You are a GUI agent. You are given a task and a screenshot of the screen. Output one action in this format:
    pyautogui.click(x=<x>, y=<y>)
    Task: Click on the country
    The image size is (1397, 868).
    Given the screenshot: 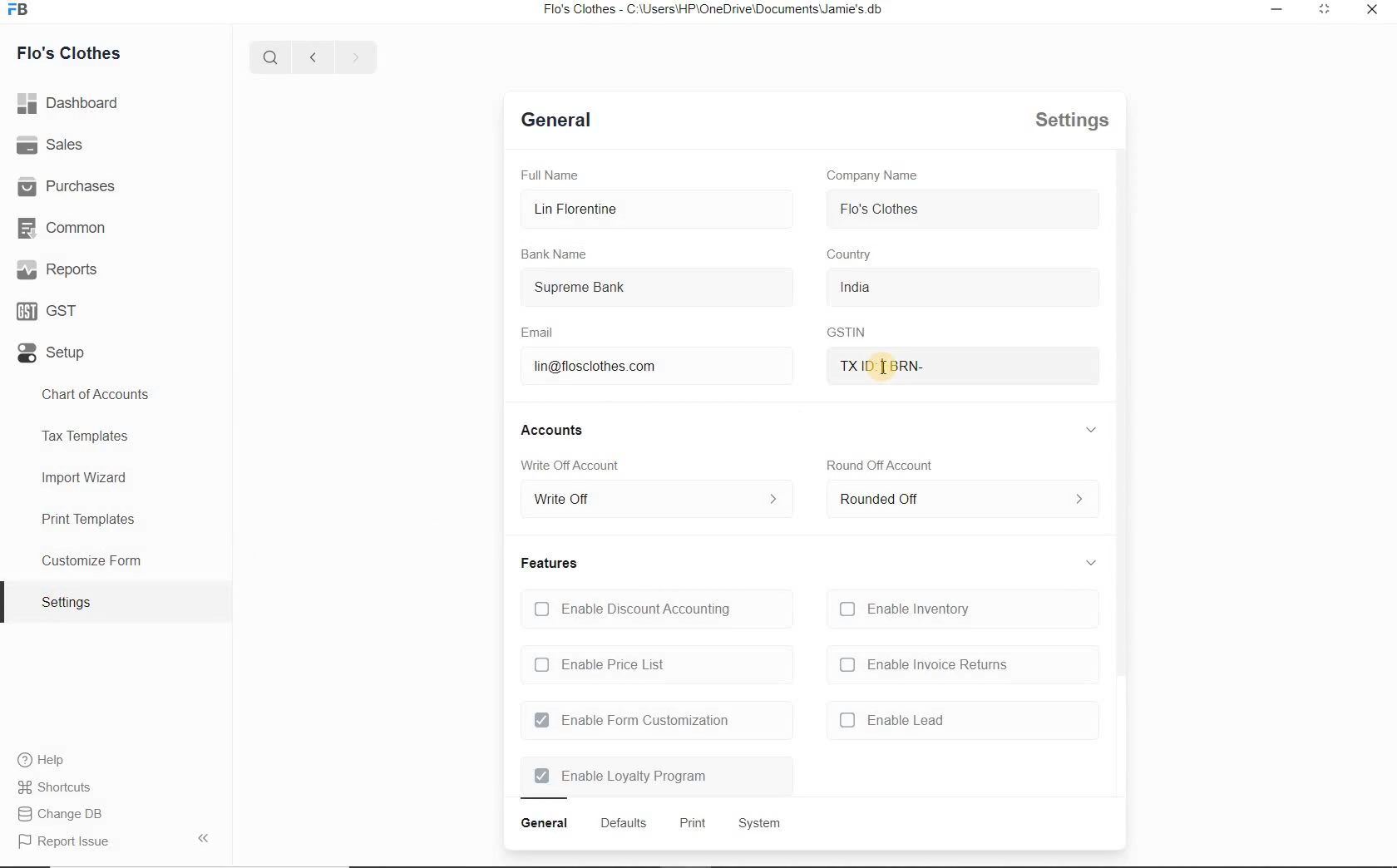 What is the action you would take?
    pyautogui.click(x=852, y=255)
    